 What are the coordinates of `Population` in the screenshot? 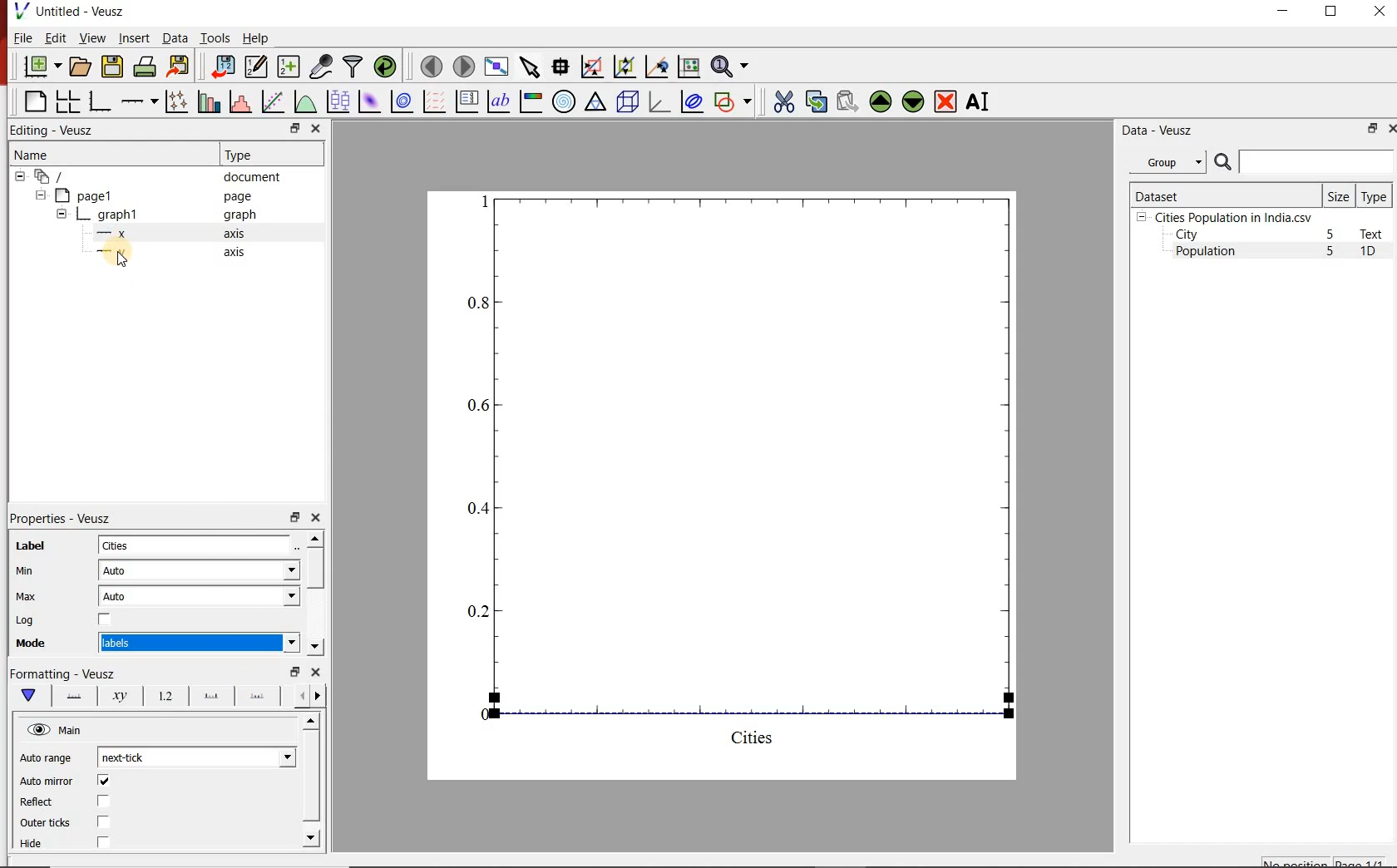 It's located at (1206, 253).